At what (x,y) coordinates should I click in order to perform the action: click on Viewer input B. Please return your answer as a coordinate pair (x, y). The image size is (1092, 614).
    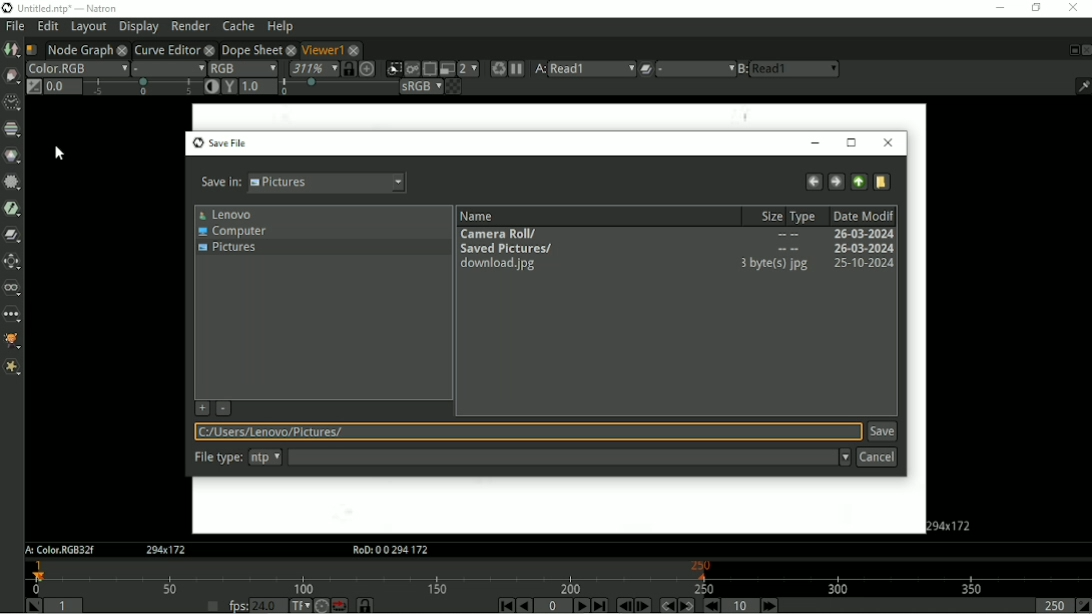
    Looking at the image, I should click on (743, 70).